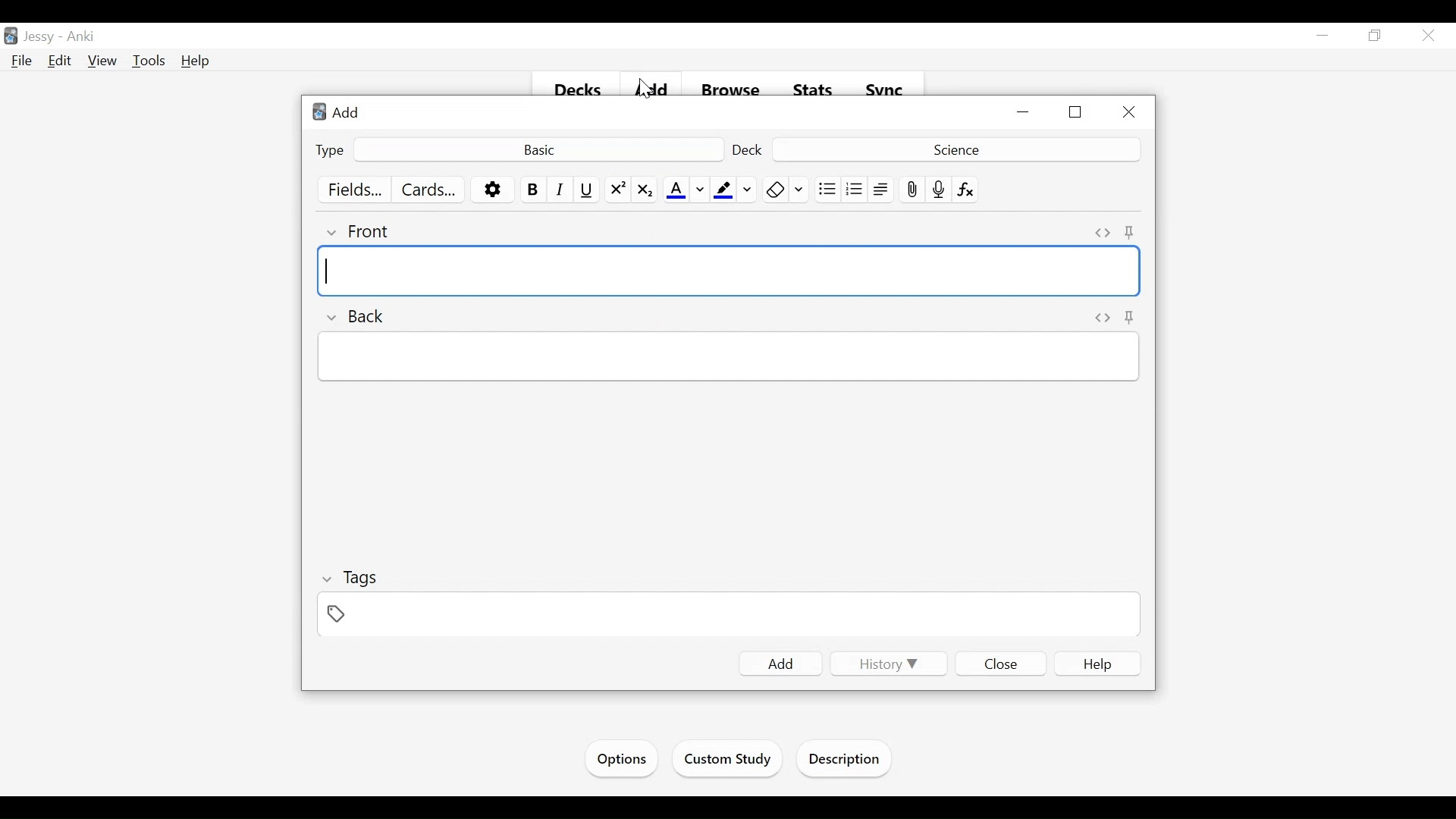  I want to click on Tools, so click(149, 61).